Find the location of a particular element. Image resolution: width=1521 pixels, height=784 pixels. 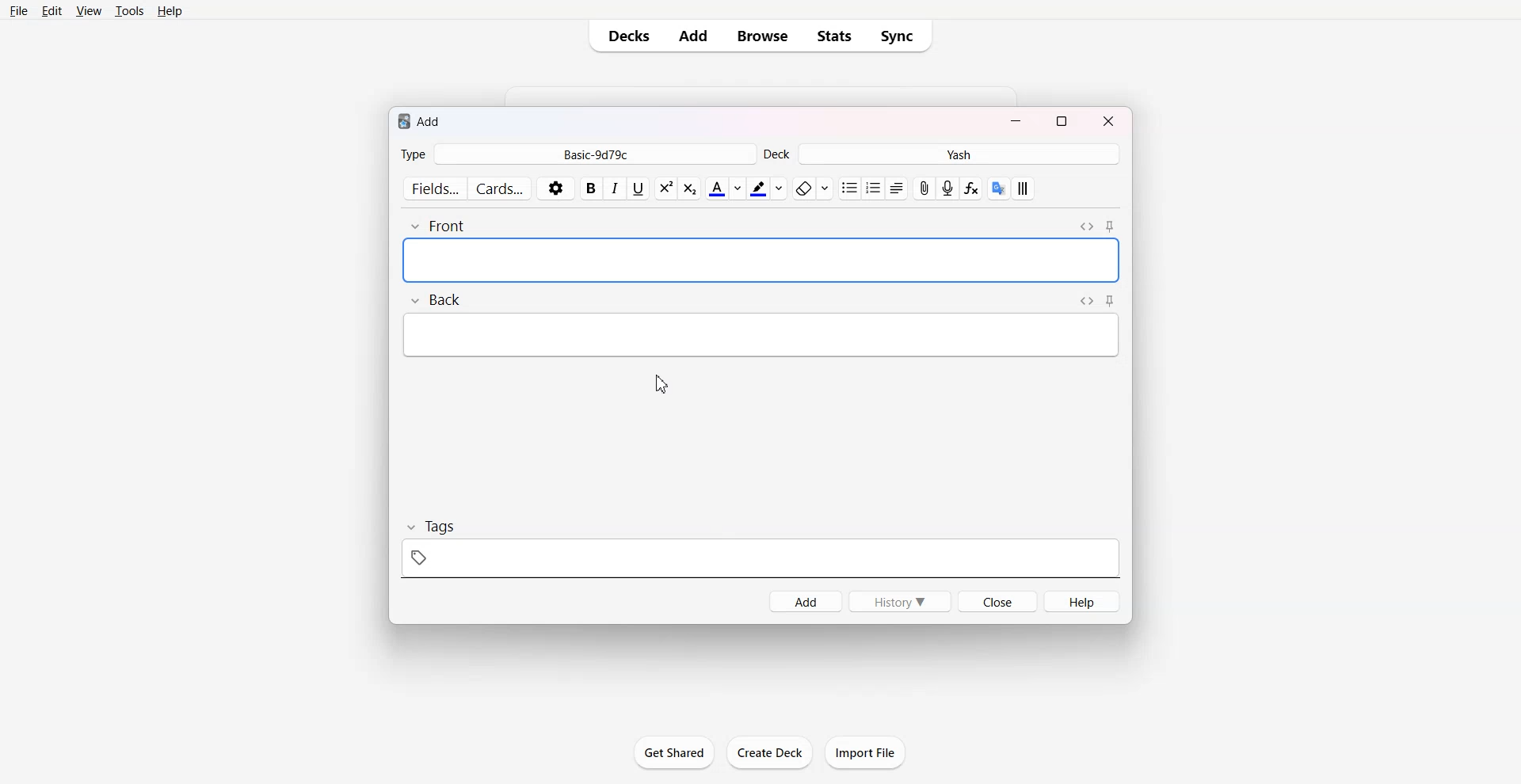

Tag is located at coordinates (433, 526).